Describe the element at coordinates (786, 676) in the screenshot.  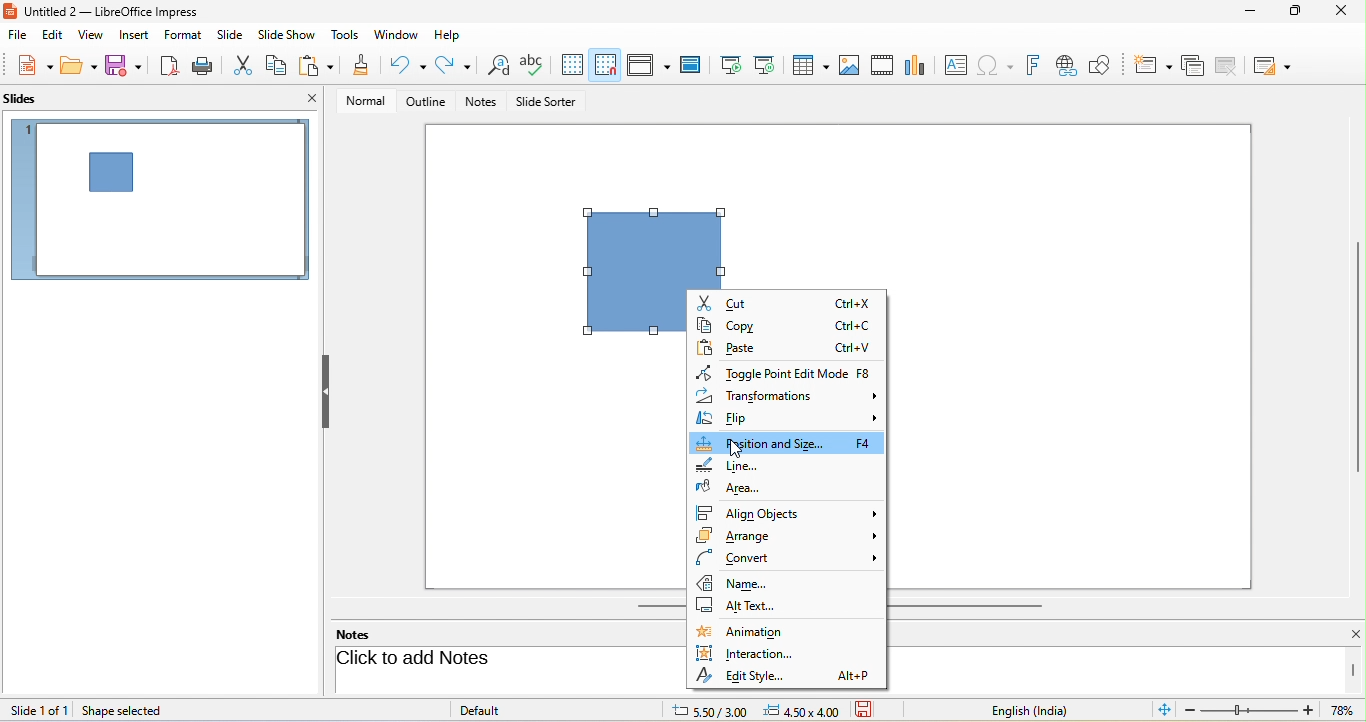
I see `edit style` at that location.